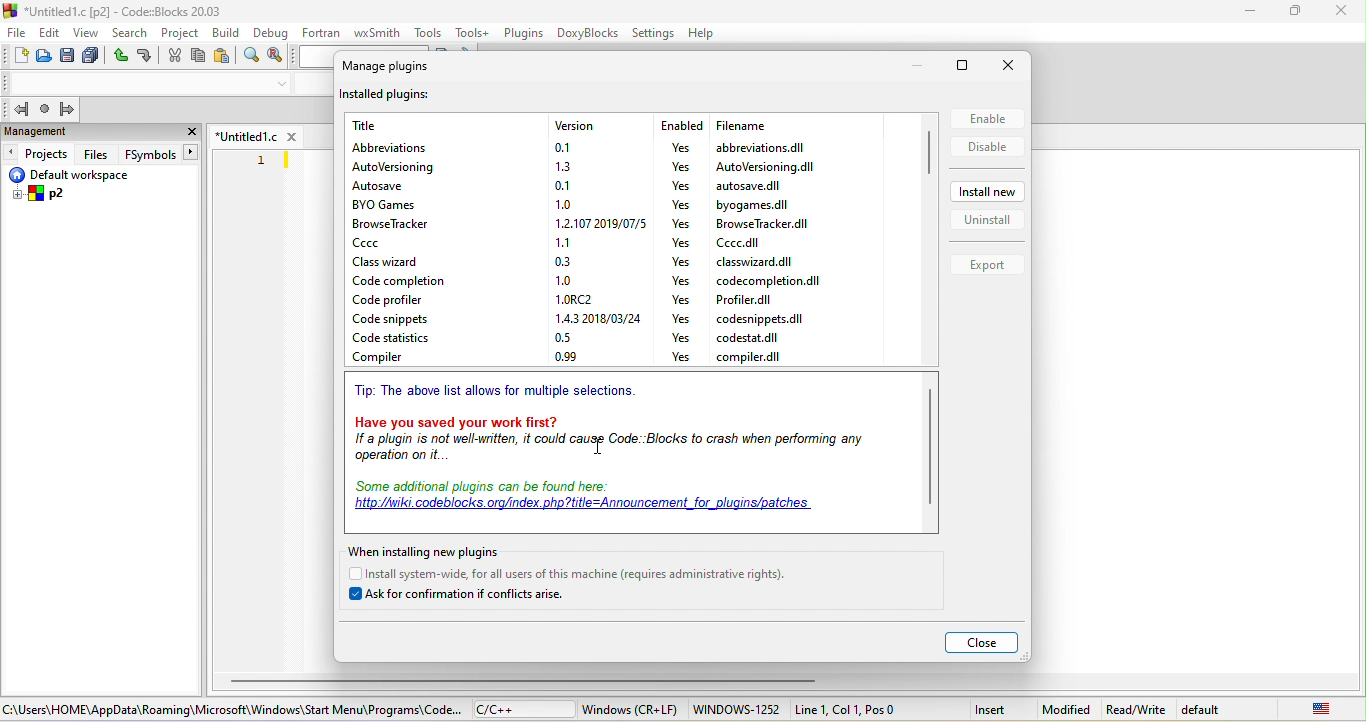 This screenshot has width=1366, height=722. I want to click on abbreviations, so click(408, 146).